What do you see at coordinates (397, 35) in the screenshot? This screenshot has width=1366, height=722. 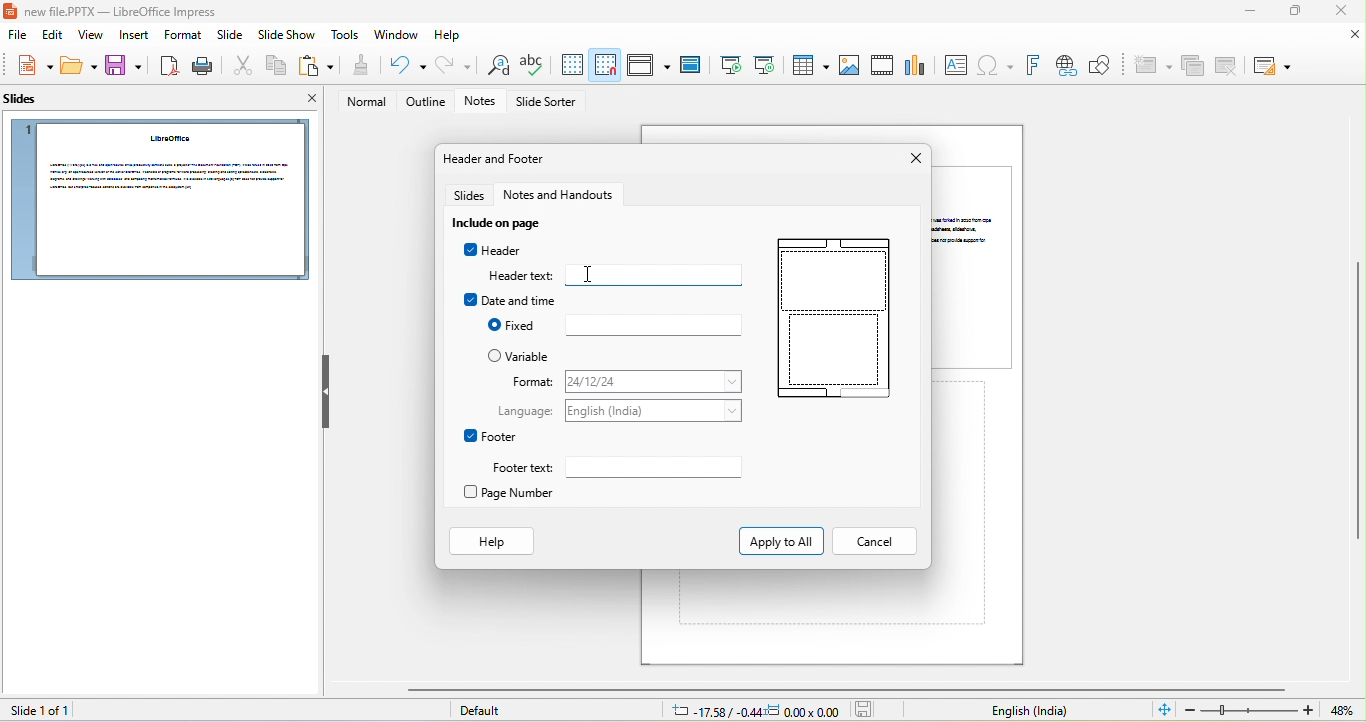 I see `window` at bounding box center [397, 35].